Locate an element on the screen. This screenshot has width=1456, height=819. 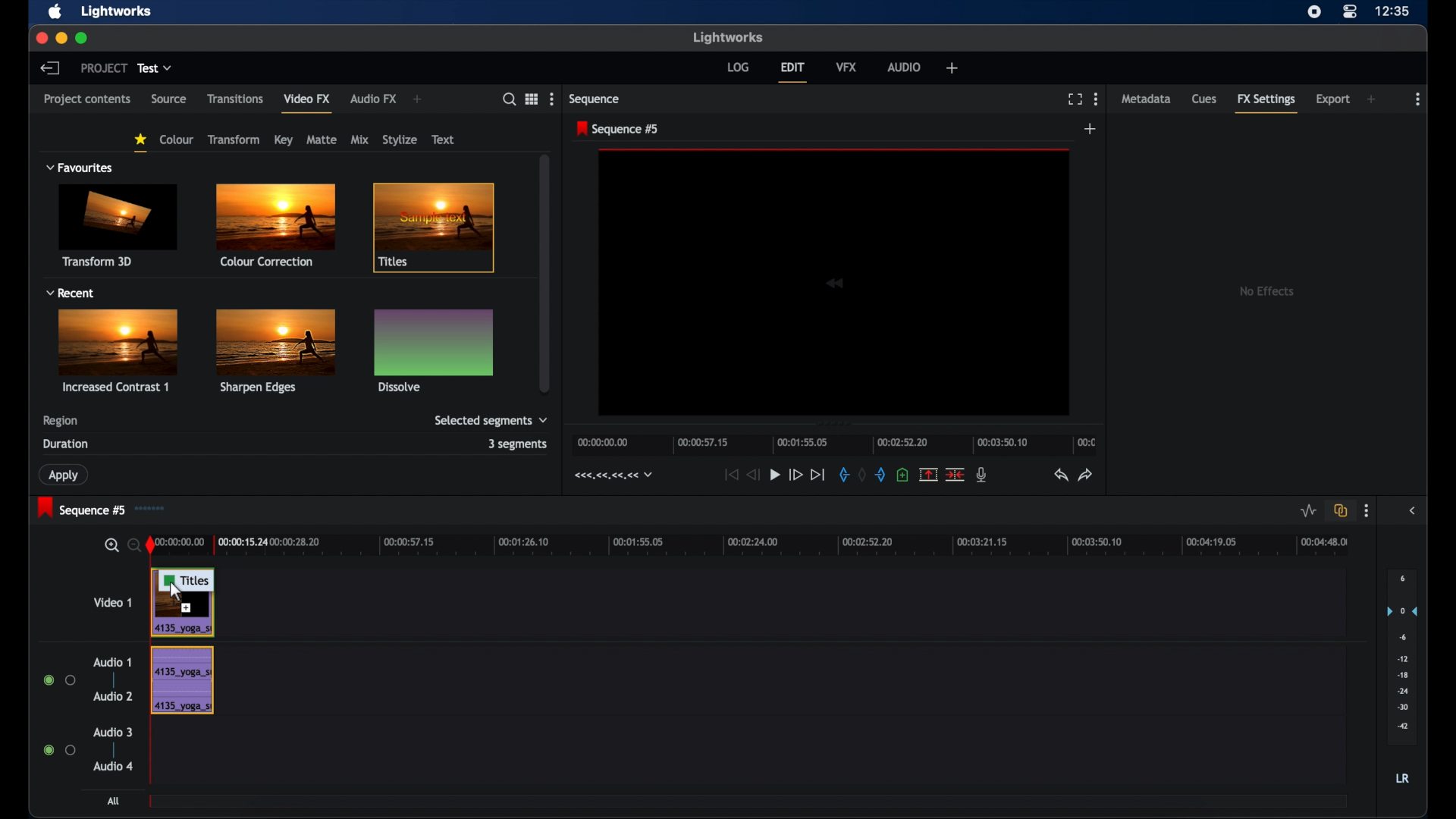
timeline  is located at coordinates (750, 544).